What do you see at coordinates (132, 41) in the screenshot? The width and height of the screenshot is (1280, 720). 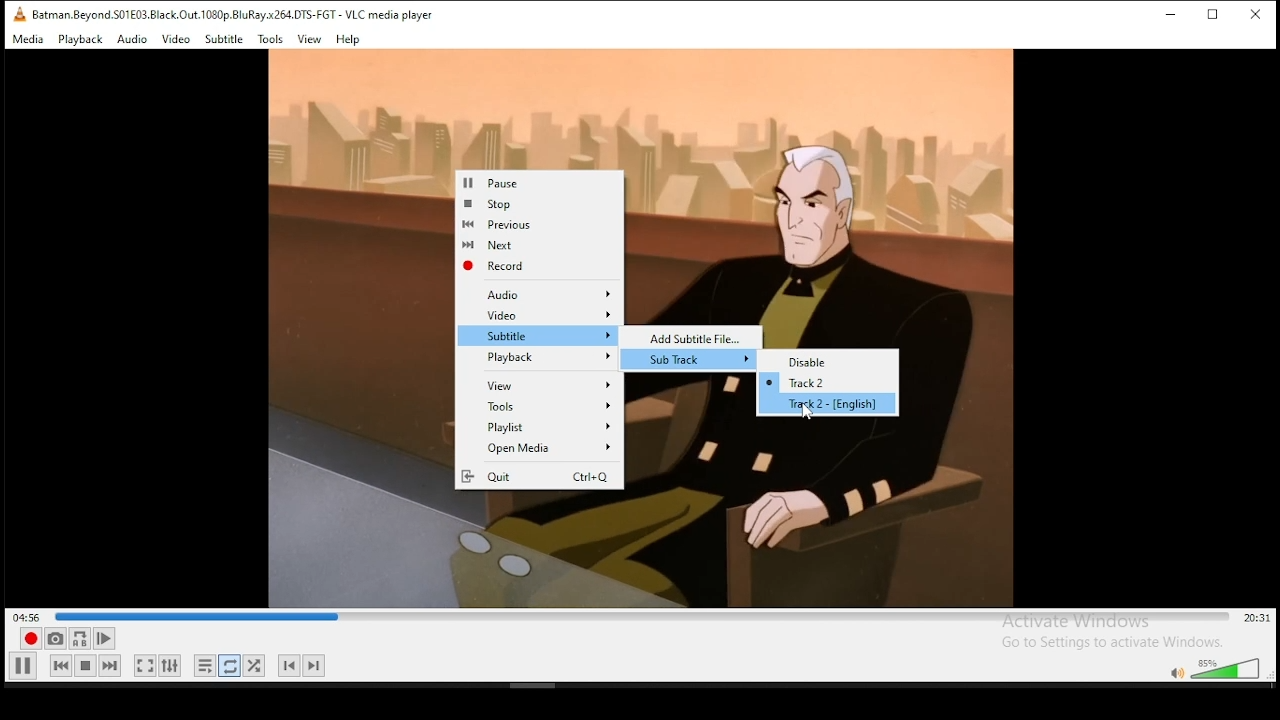 I see `Audio` at bounding box center [132, 41].